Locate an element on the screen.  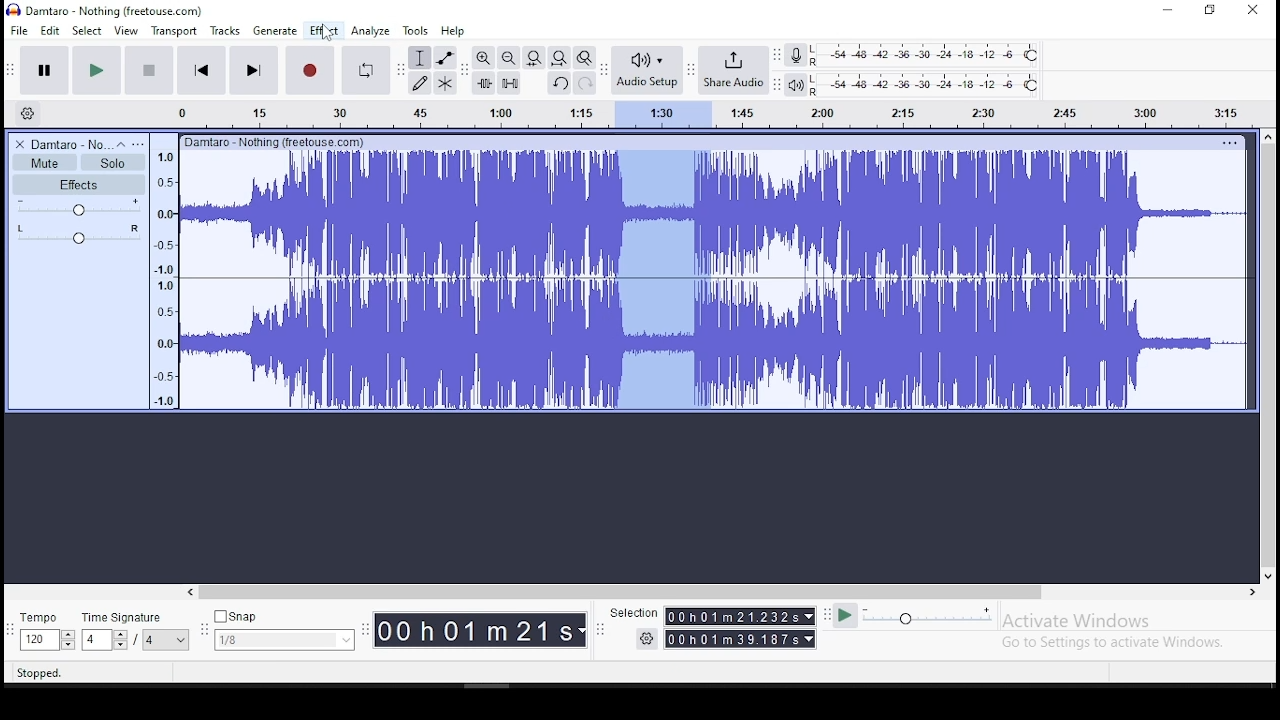
view is located at coordinates (126, 31).